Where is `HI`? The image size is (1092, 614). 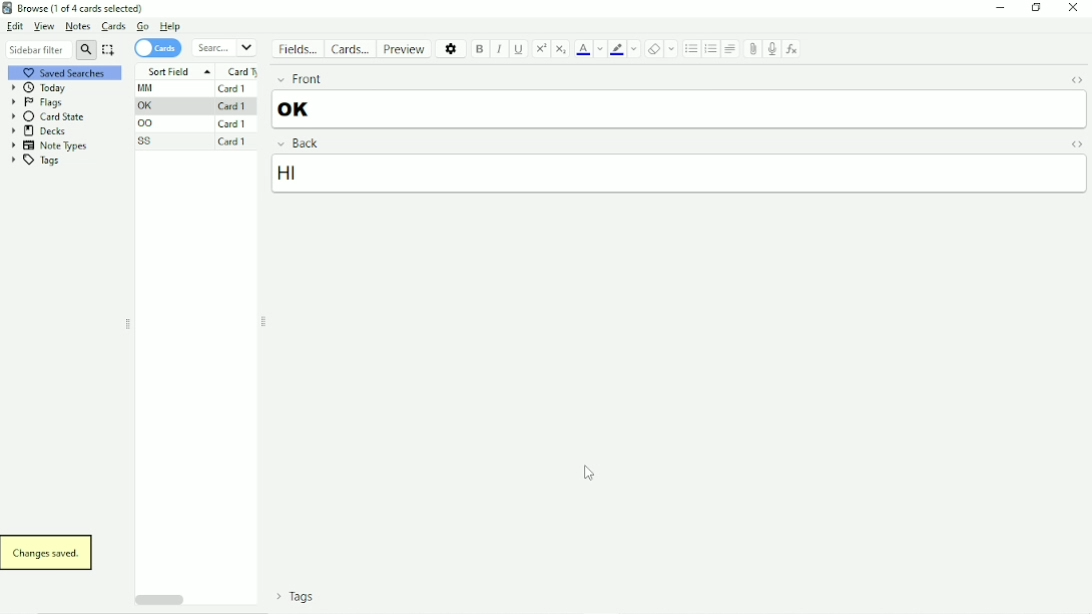 HI is located at coordinates (318, 174).